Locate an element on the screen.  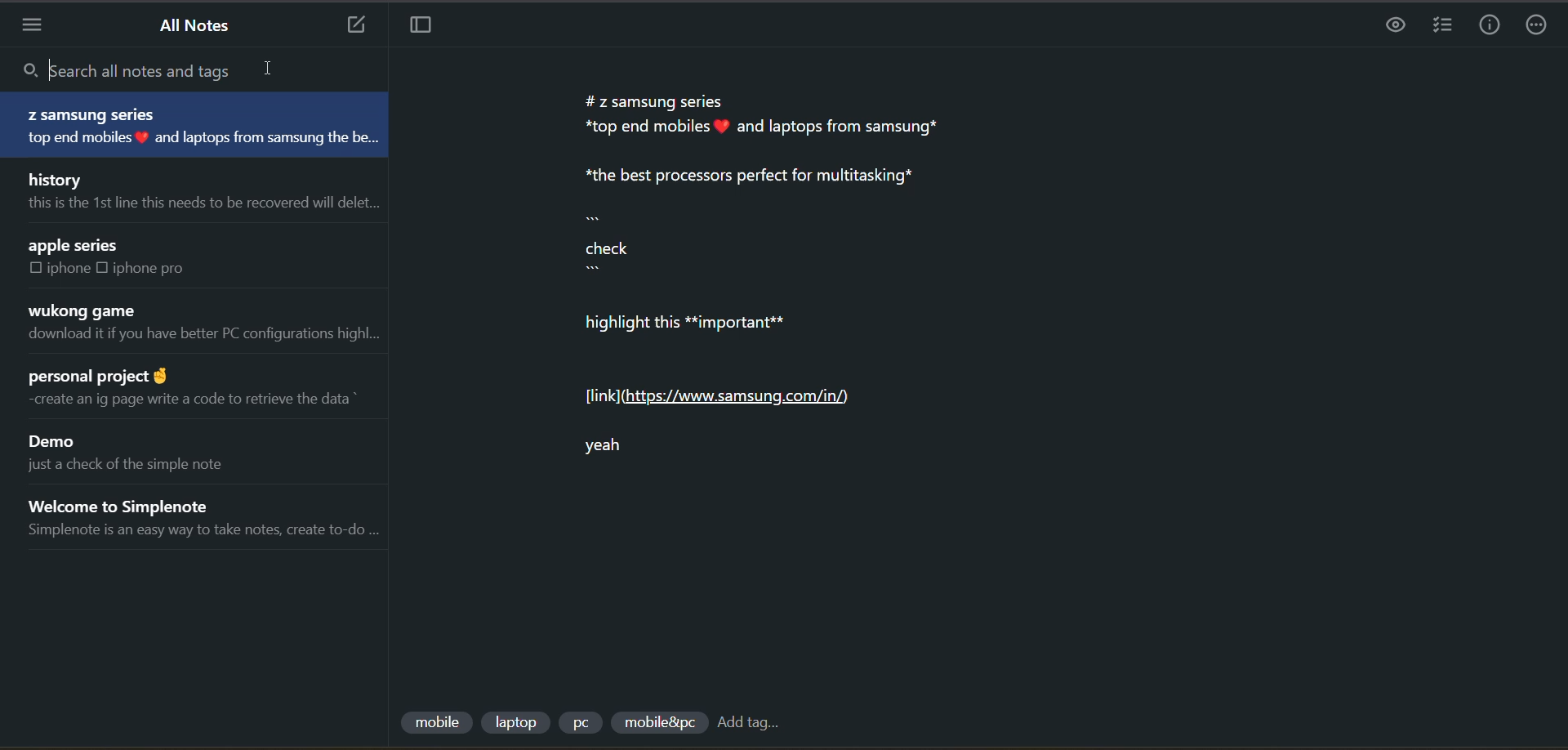
Z samsung series is located at coordinates (91, 113).